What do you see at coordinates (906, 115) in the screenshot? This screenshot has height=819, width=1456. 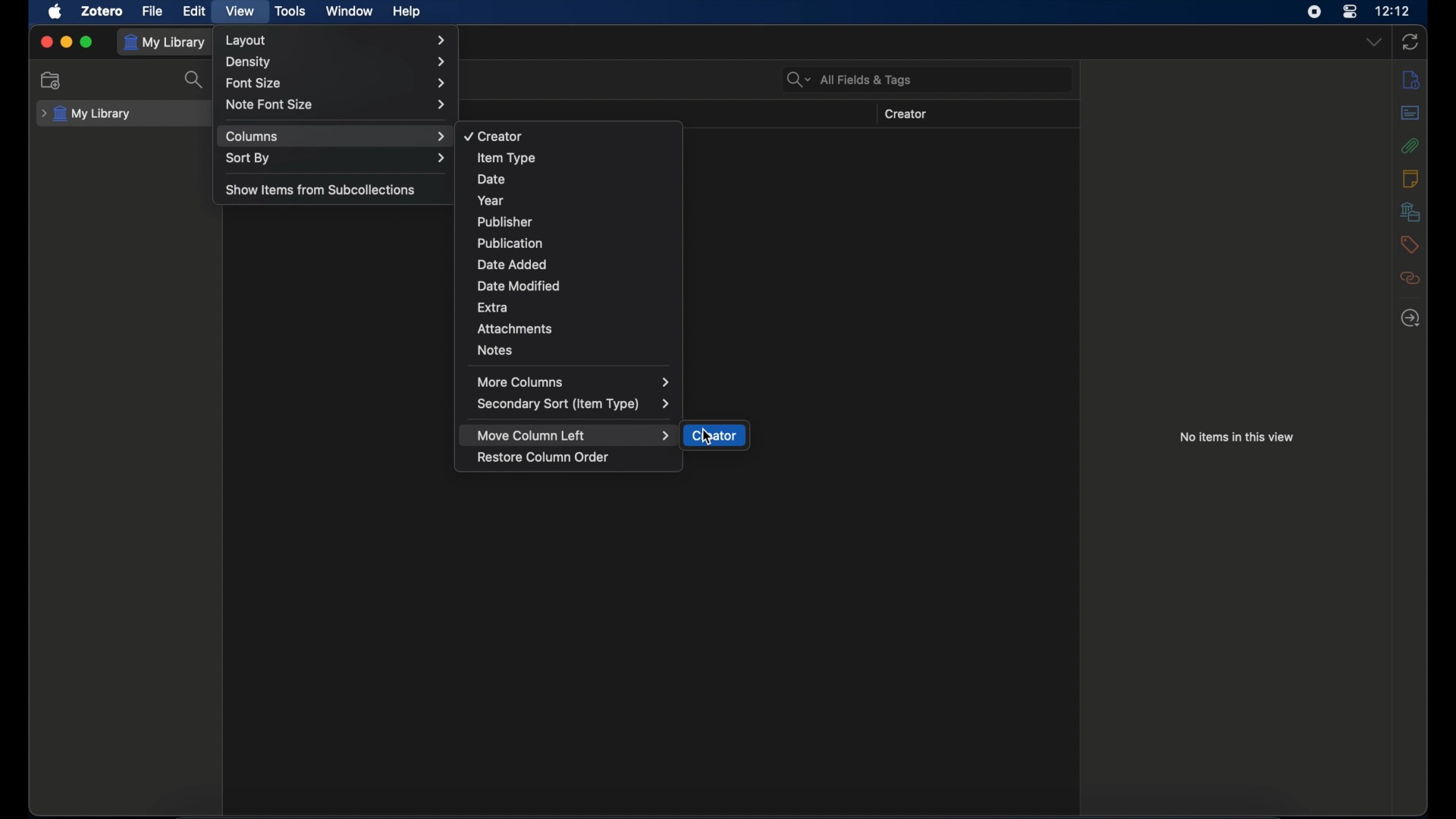 I see `creator` at bounding box center [906, 115].